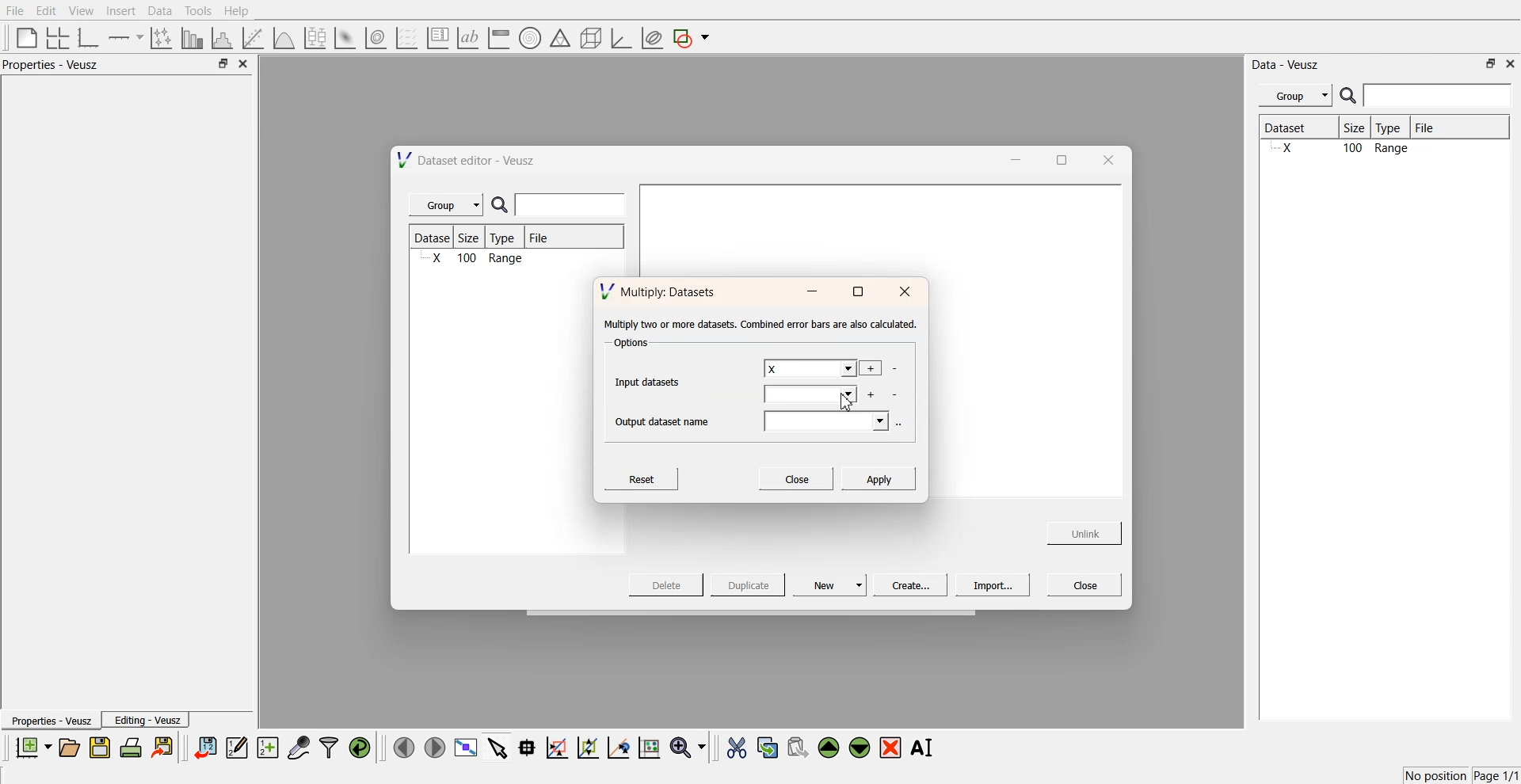  What do you see at coordinates (268, 748) in the screenshot?
I see `create new datasets` at bounding box center [268, 748].